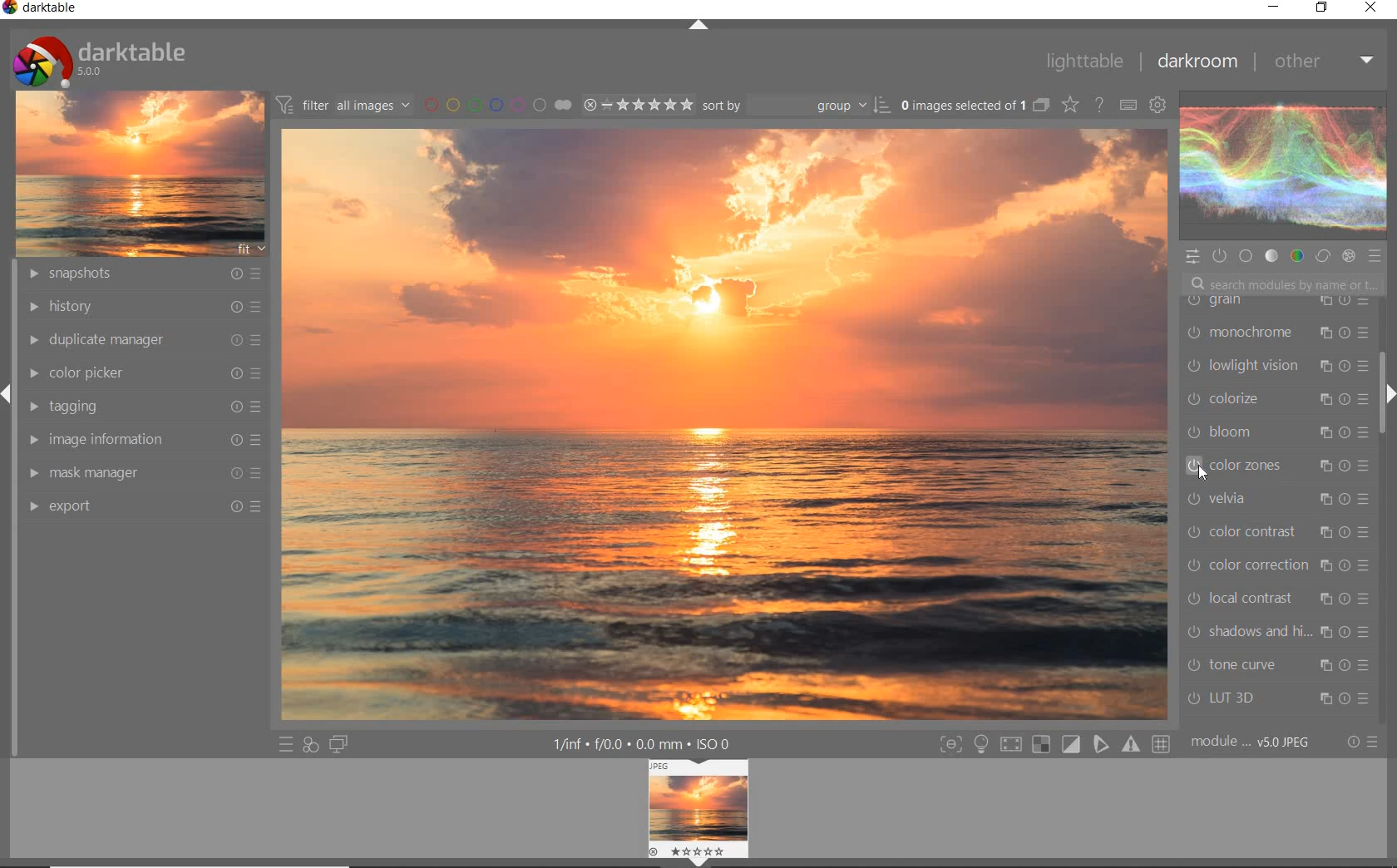 The width and height of the screenshot is (1397, 868). I want to click on EXPAND/COLLAPSE, so click(1387, 396).